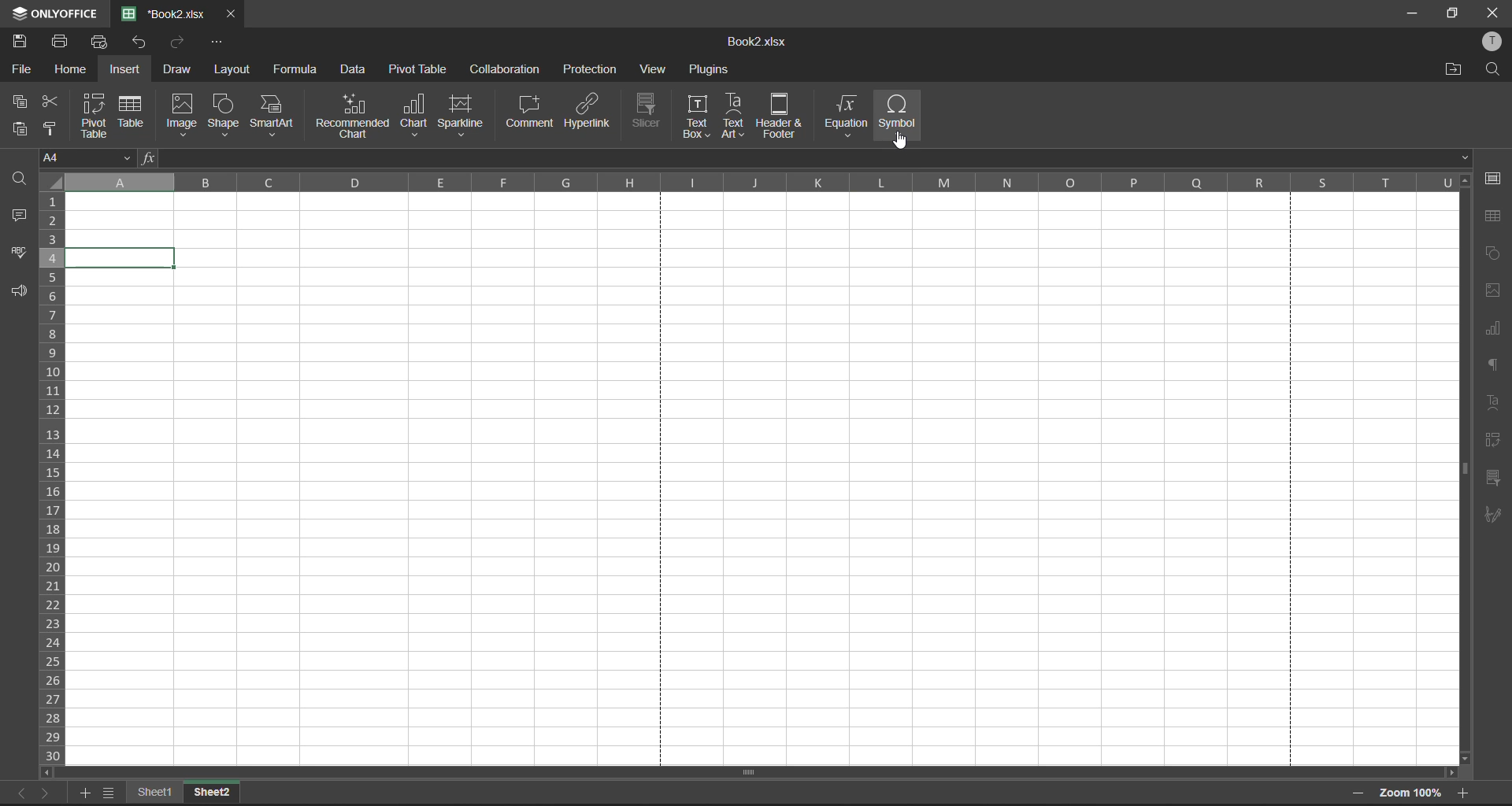 Image resolution: width=1512 pixels, height=806 pixels. What do you see at coordinates (18, 217) in the screenshot?
I see `comments` at bounding box center [18, 217].